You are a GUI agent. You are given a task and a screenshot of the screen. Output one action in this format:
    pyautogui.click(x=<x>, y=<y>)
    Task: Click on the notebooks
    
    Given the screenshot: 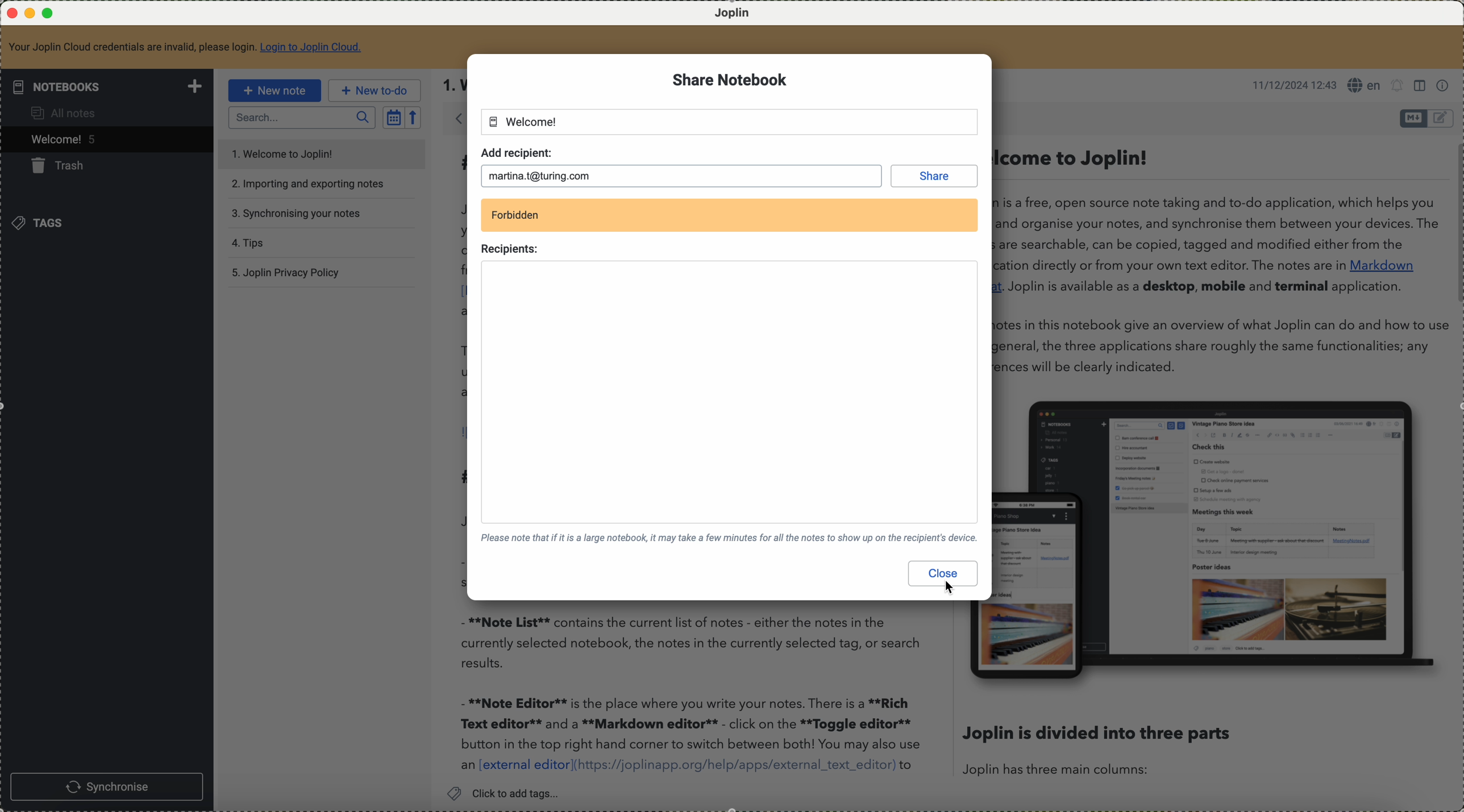 What is the action you would take?
    pyautogui.click(x=110, y=86)
    